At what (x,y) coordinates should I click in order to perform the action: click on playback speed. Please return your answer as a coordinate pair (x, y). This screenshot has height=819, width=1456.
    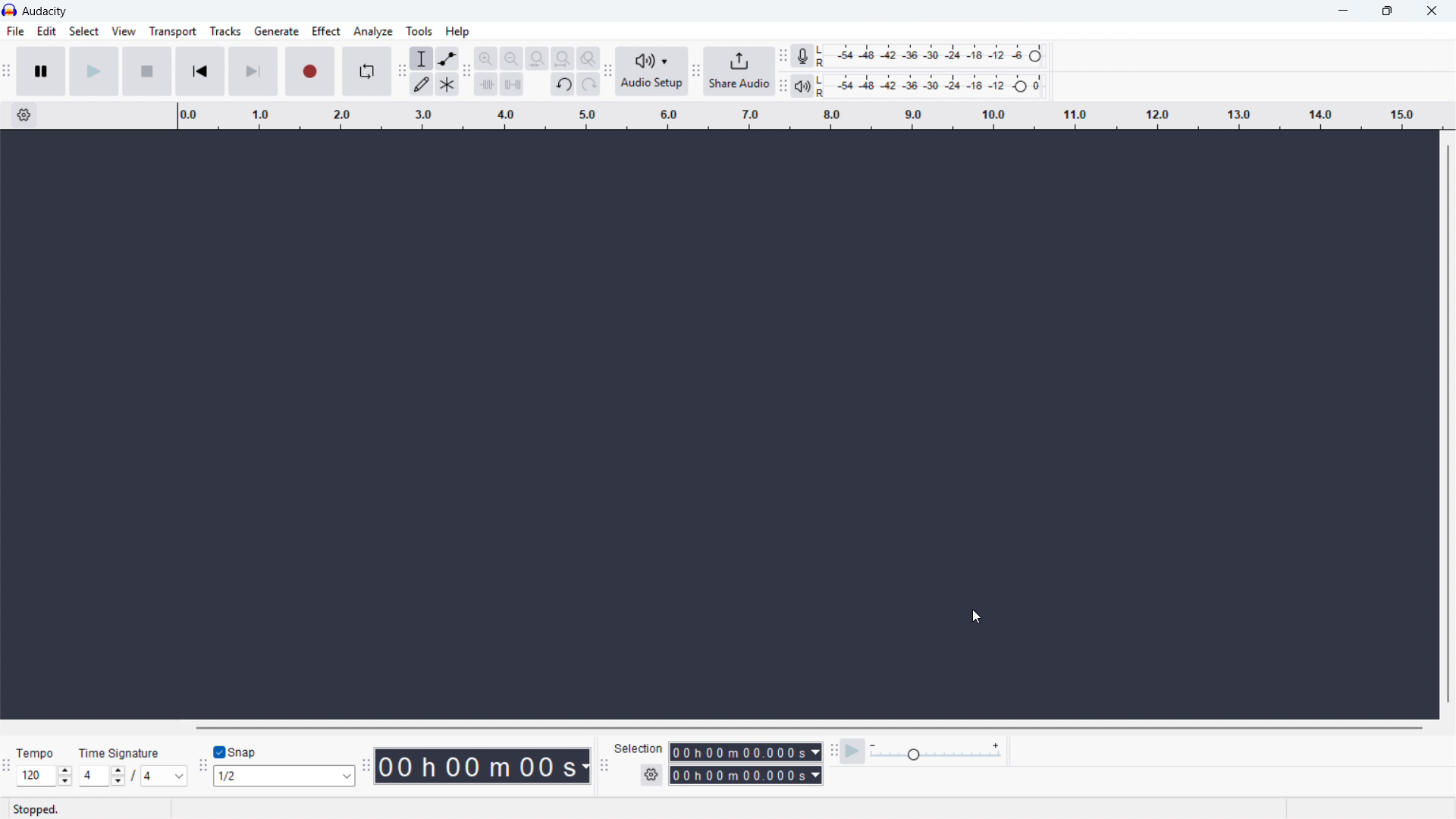
    Looking at the image, I should click on (936, 752).